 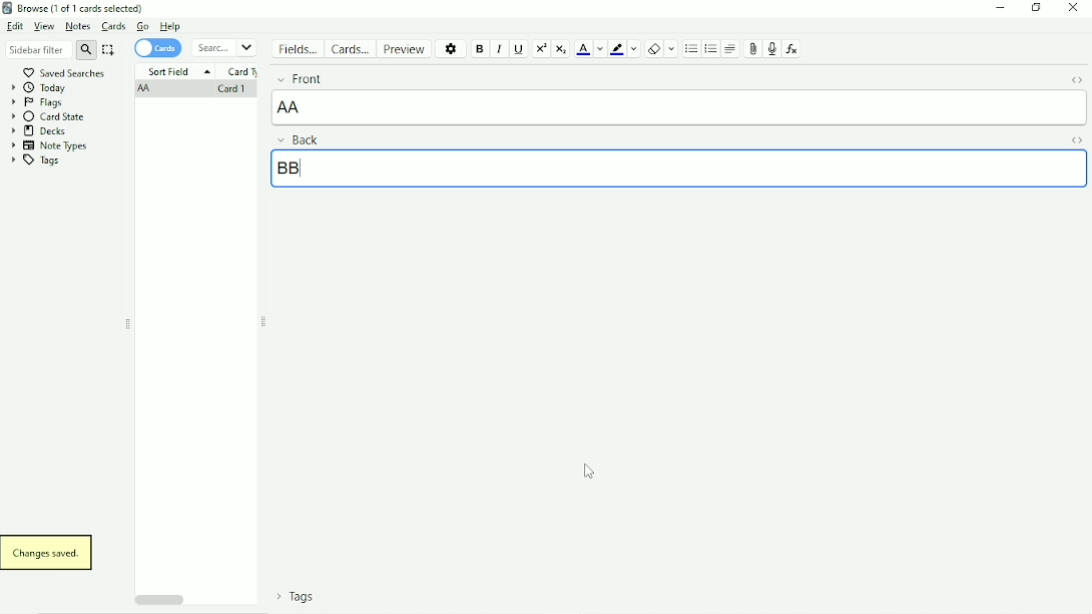 I want to click on Subscript, so click(x=561, y=49).